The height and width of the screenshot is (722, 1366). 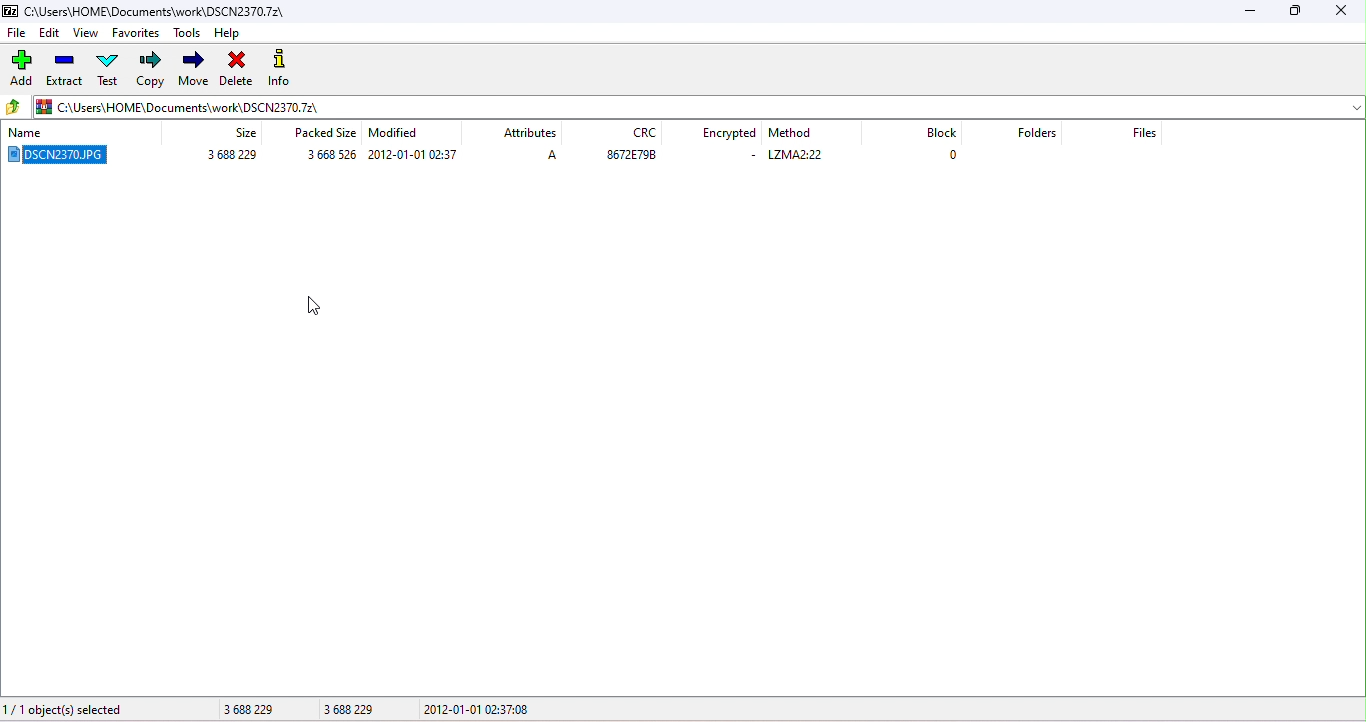 I want to click on size of the document, so click(x=227, y=157).